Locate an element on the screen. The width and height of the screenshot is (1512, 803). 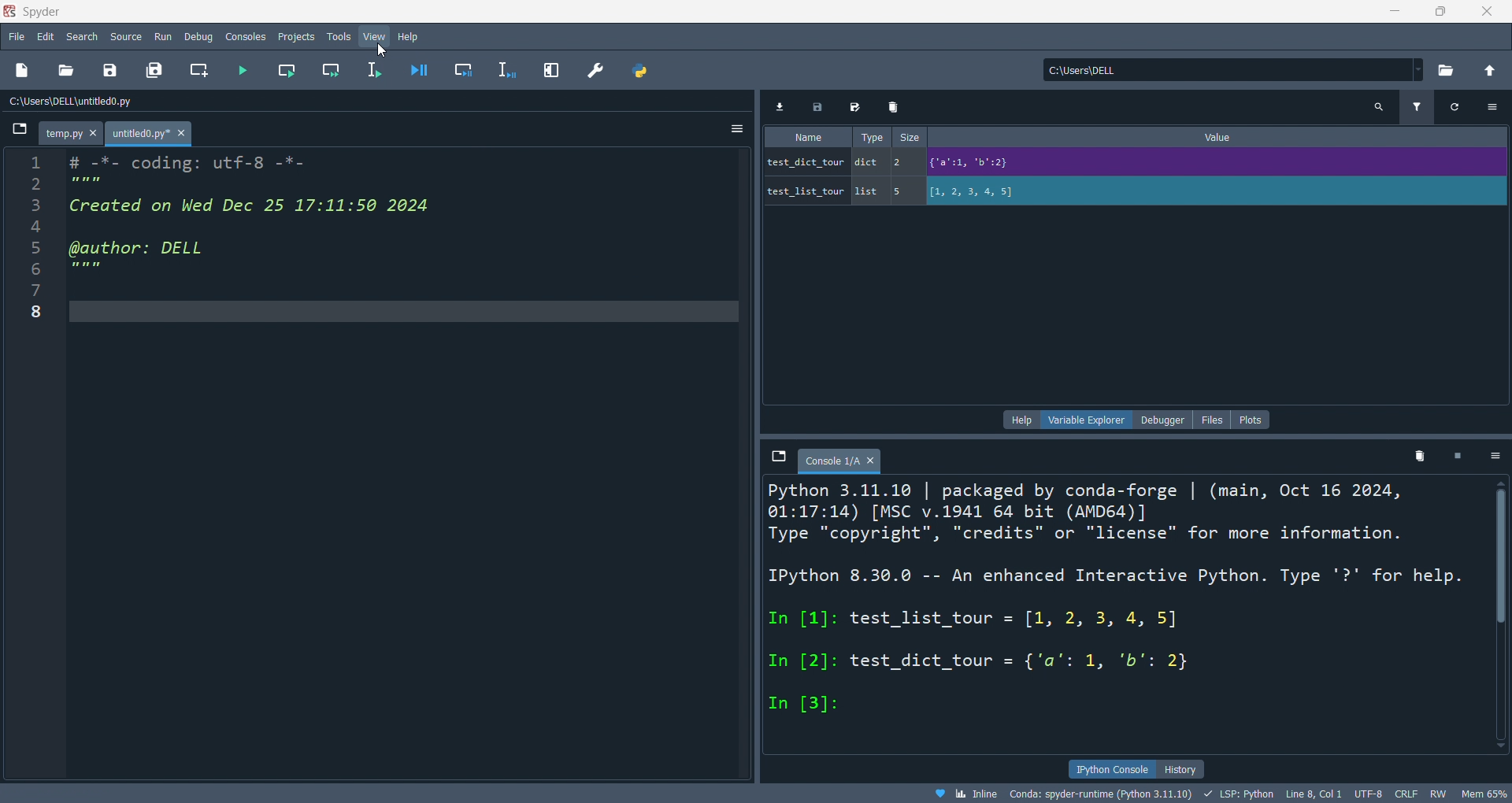
browse tabs is located at coordinates (20, 132).